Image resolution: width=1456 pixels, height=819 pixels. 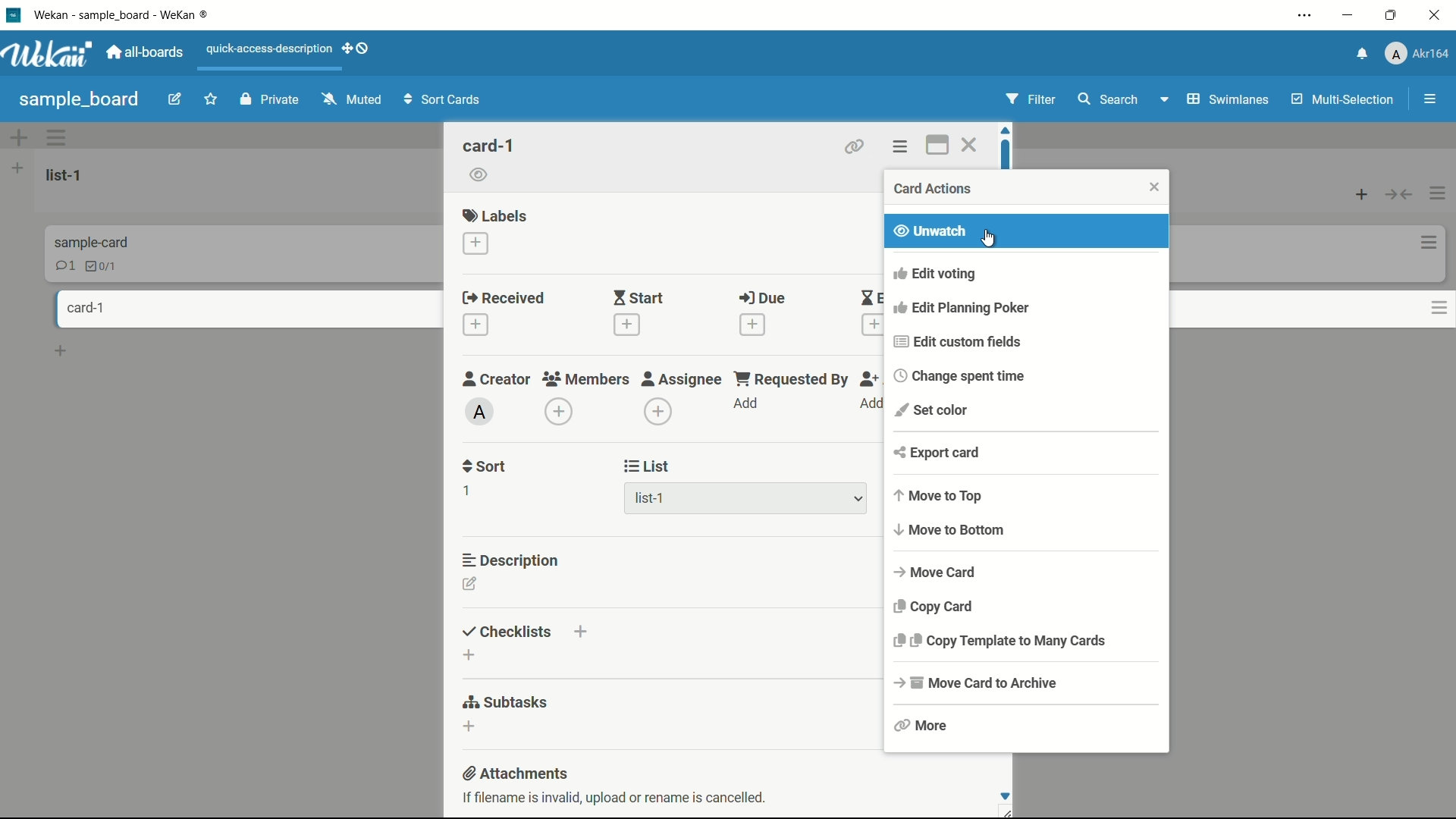 What do you see at coordinates (962, 375) in the screenshot?
I see `change spent time` at bounding box center [962, 375].